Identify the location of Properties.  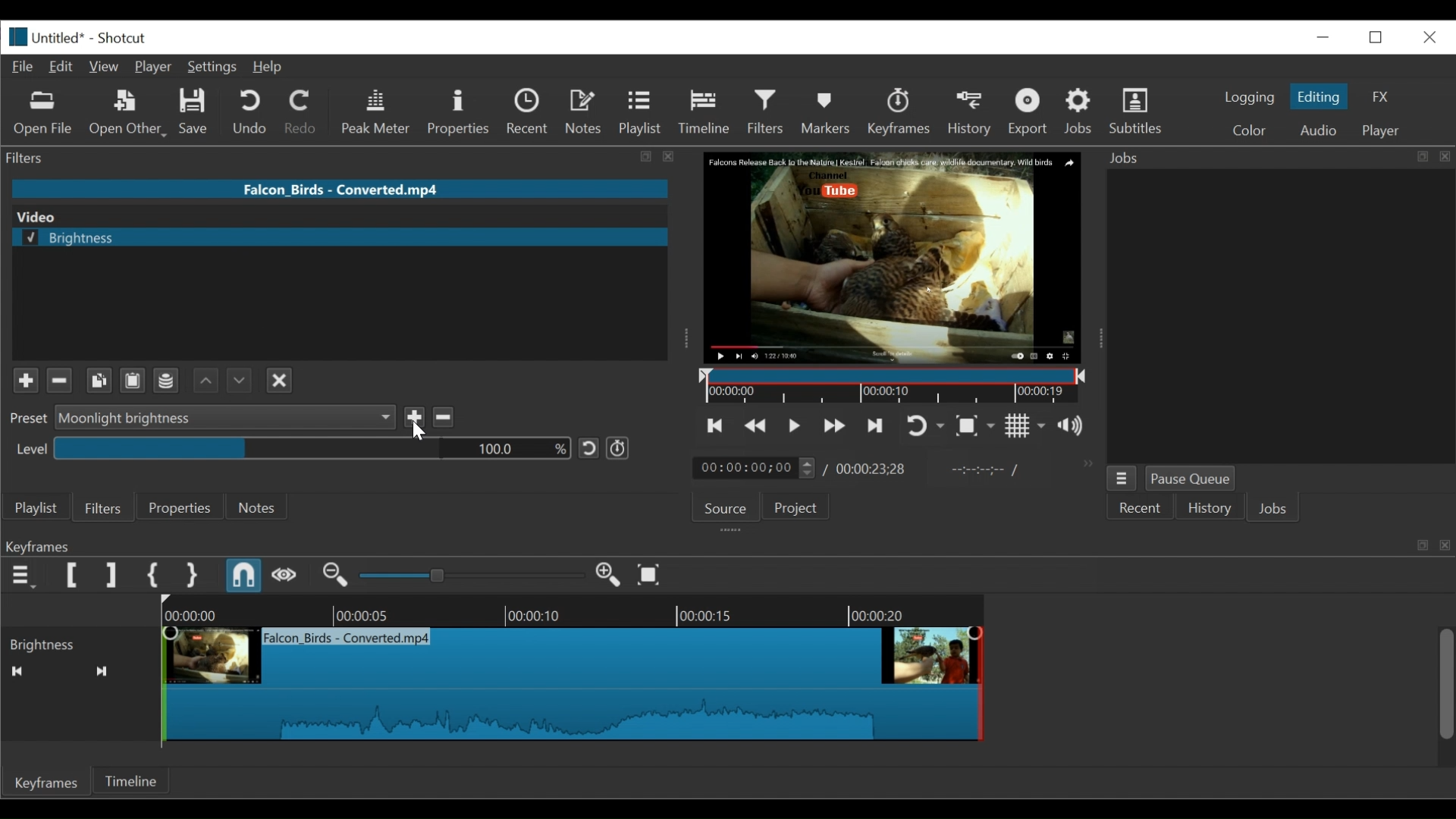
(459, 113).